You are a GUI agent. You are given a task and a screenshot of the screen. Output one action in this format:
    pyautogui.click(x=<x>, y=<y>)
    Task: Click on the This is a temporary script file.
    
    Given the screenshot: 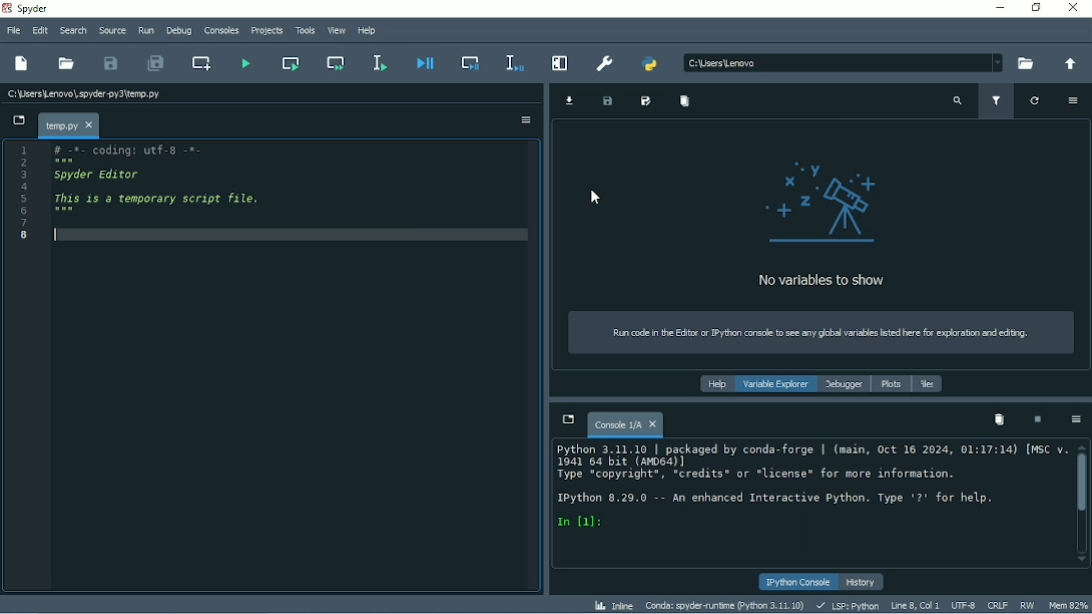 What is the action you would take?
    pyautogui.click(x=158, y=198)
    